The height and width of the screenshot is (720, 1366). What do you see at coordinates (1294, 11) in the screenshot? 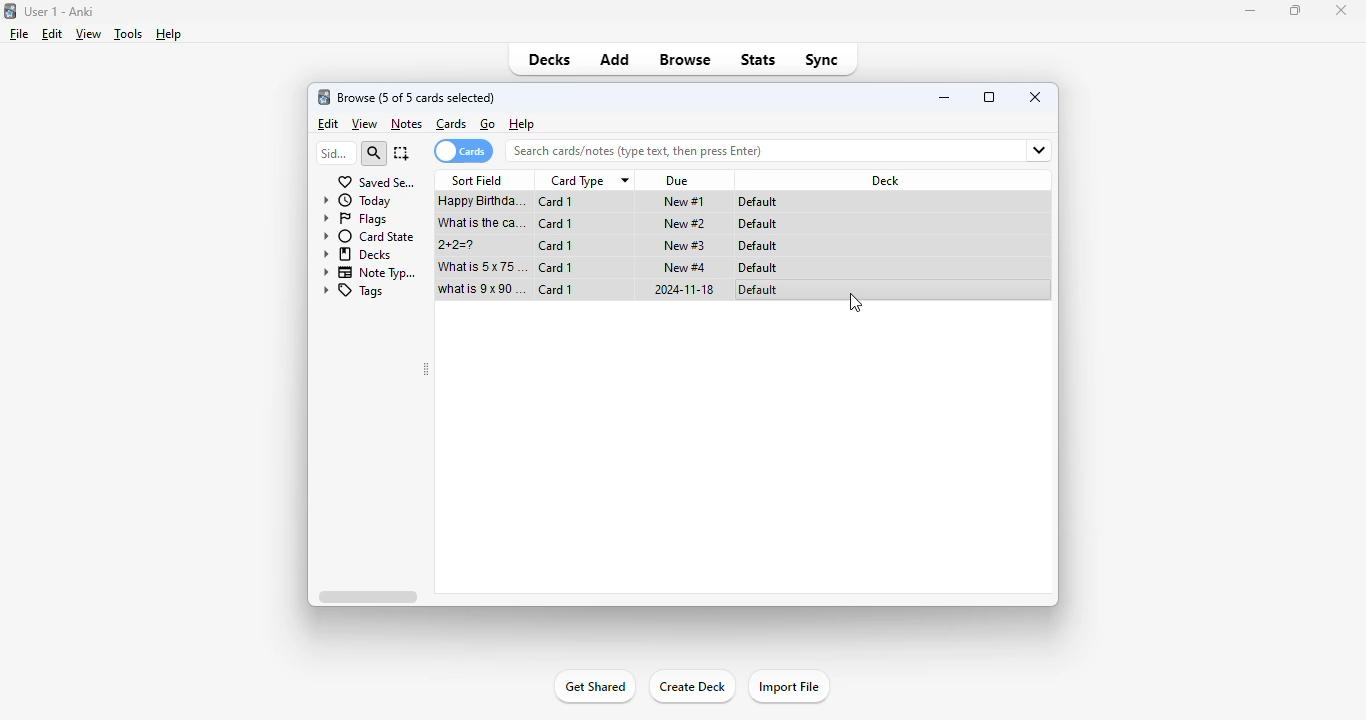
I see `maximize` at bounding box center [1294, 11].